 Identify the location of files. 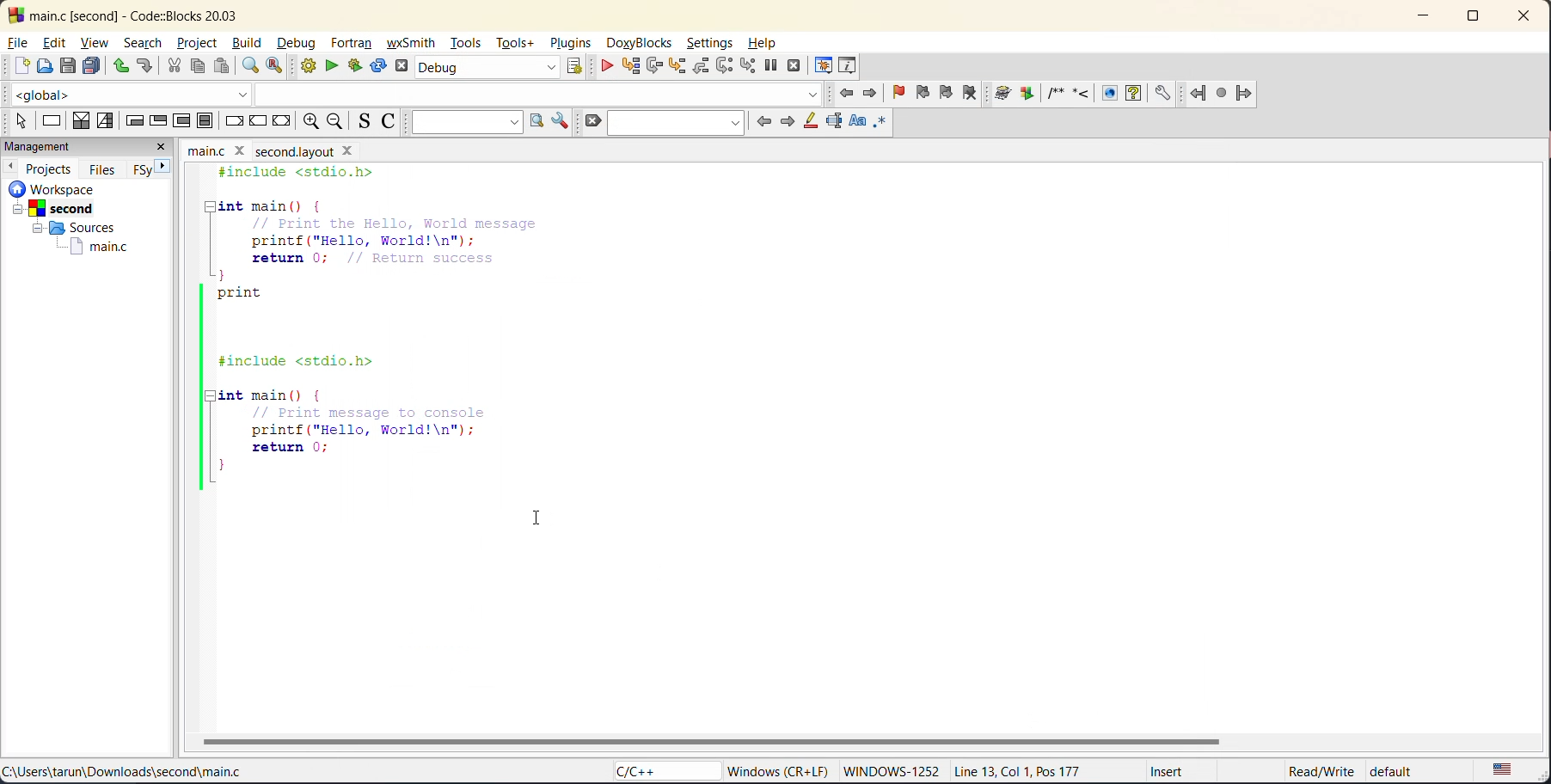
(104, 168).